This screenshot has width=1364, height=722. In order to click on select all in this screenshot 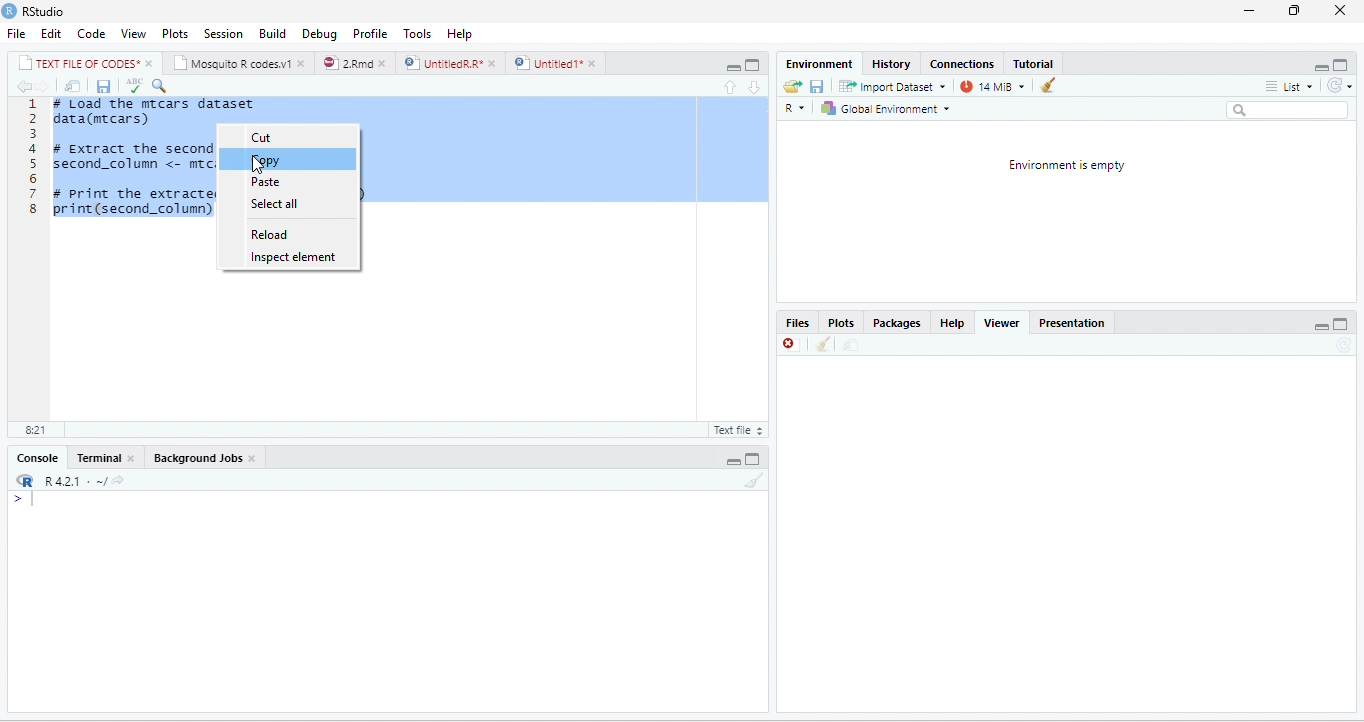, I will do `click(274, 203)`.